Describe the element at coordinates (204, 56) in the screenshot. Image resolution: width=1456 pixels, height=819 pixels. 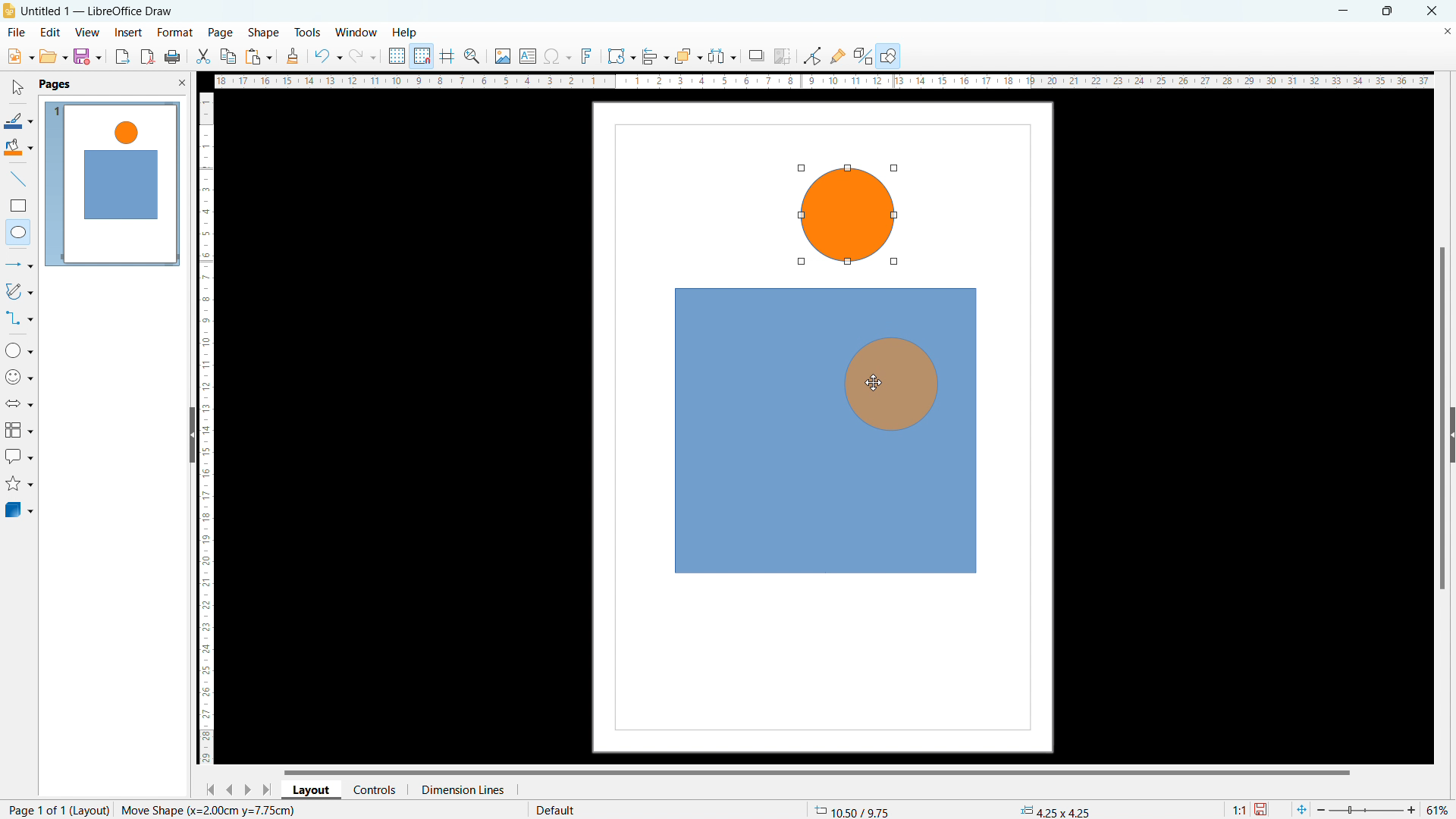
I see `cut` at that location.